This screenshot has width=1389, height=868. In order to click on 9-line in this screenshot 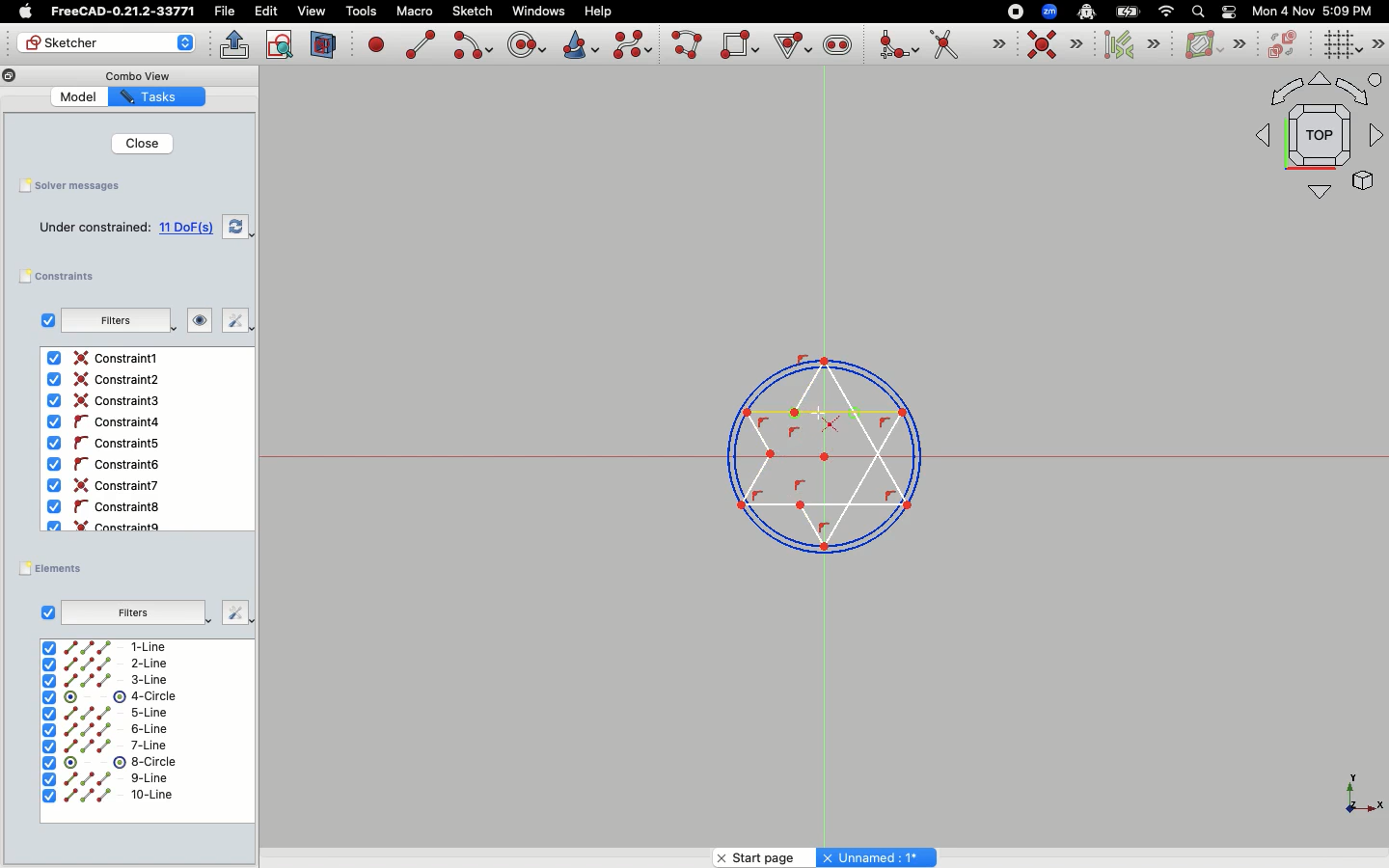, I will do `click(110, 779)`.